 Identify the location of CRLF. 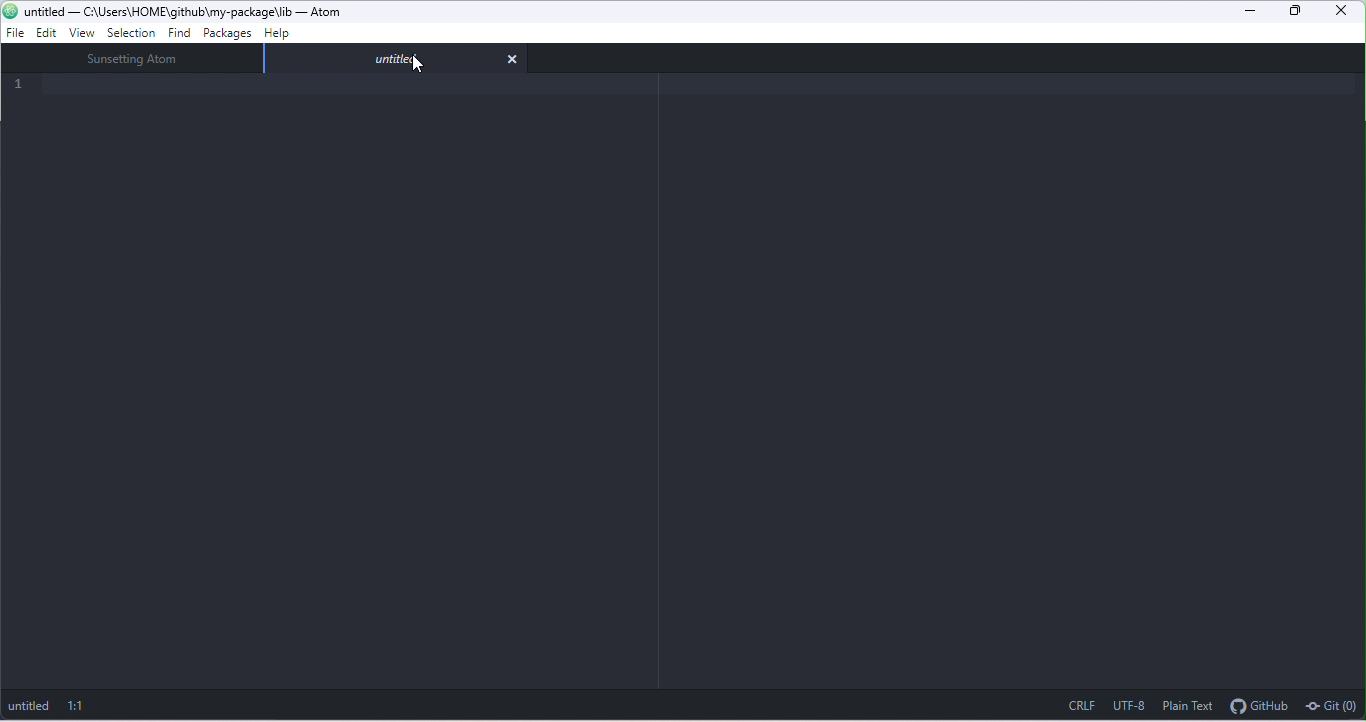
(1078, 704).